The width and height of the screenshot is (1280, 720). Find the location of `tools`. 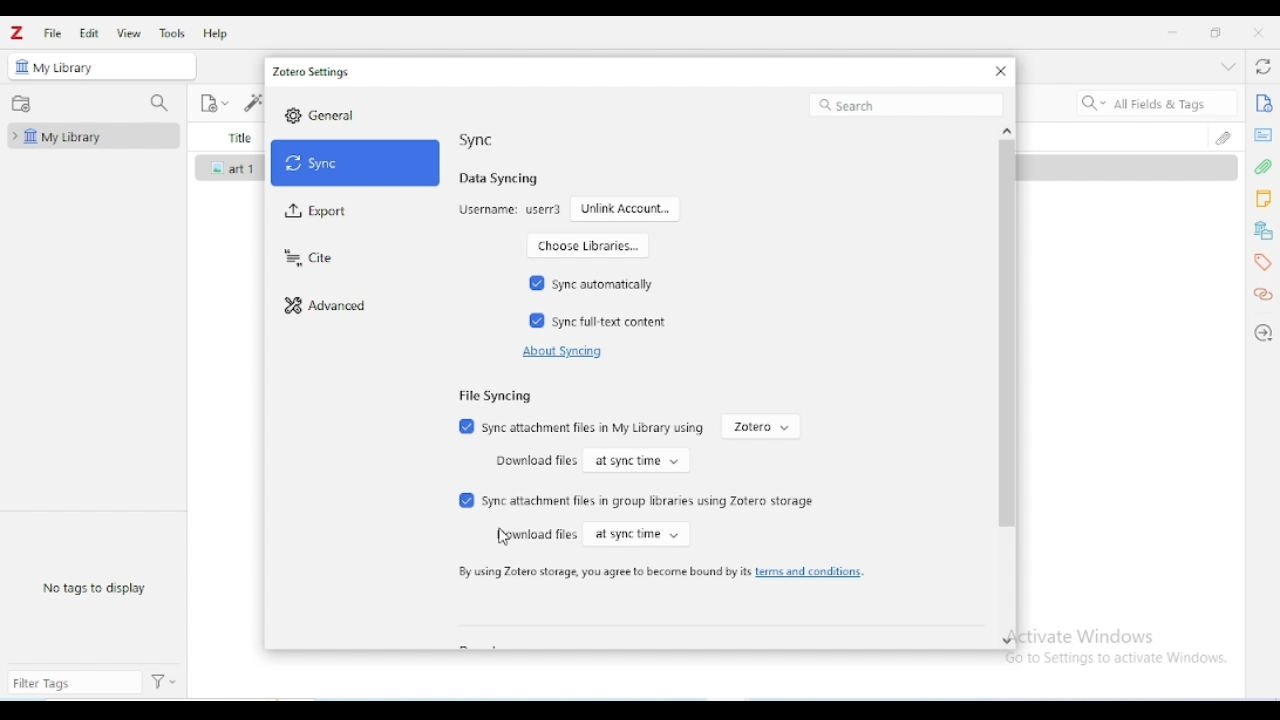

tools is located at coordinates (171, 33).